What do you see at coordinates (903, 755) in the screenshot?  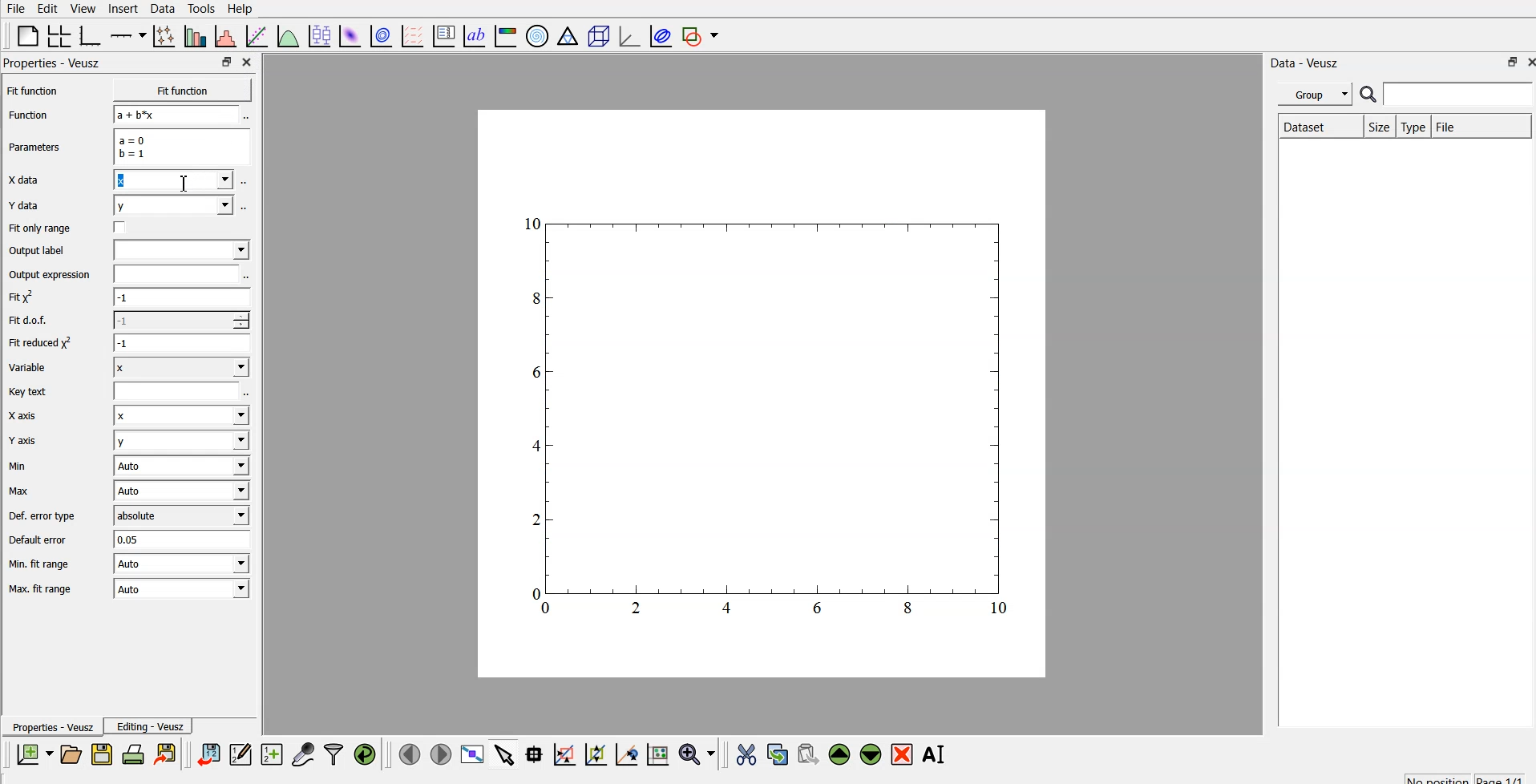 I see `remove the selected widget` at bounding box center [903, 755].